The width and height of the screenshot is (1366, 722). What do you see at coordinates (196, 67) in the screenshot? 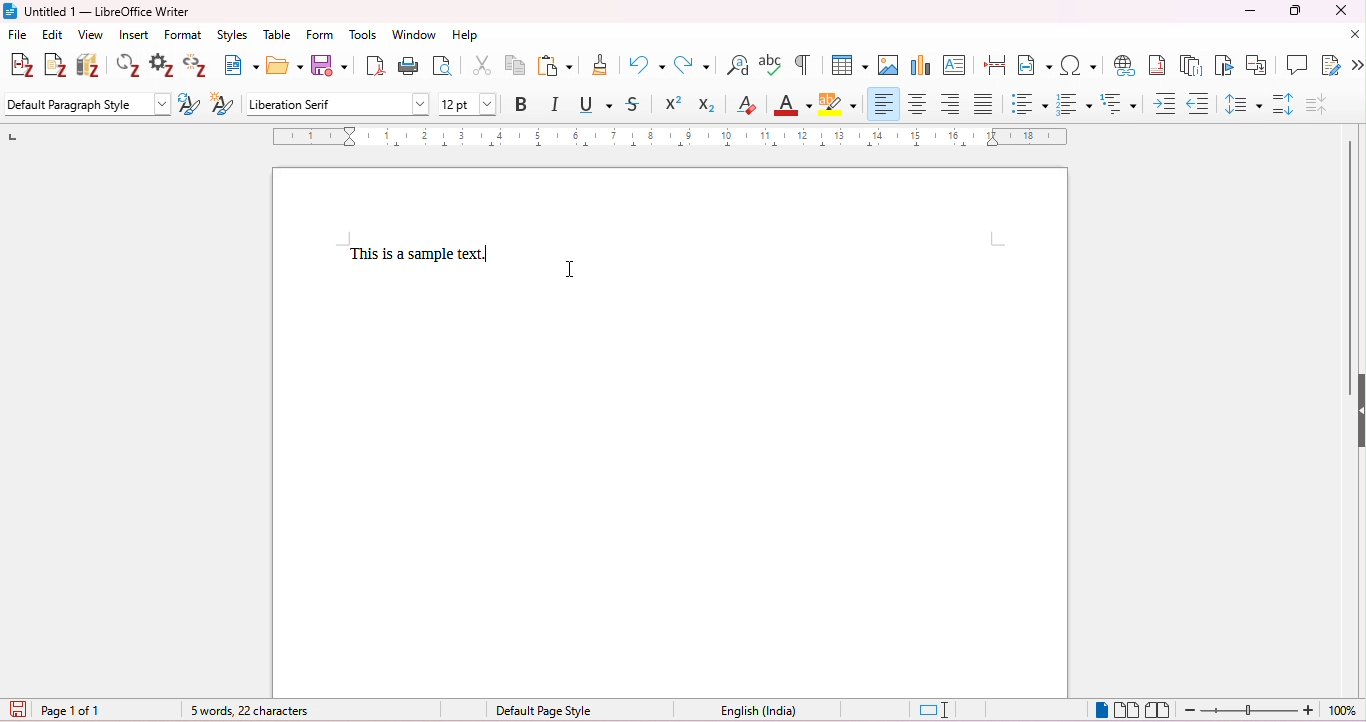
I see `unlink citations` at bounding box center [196, 67].